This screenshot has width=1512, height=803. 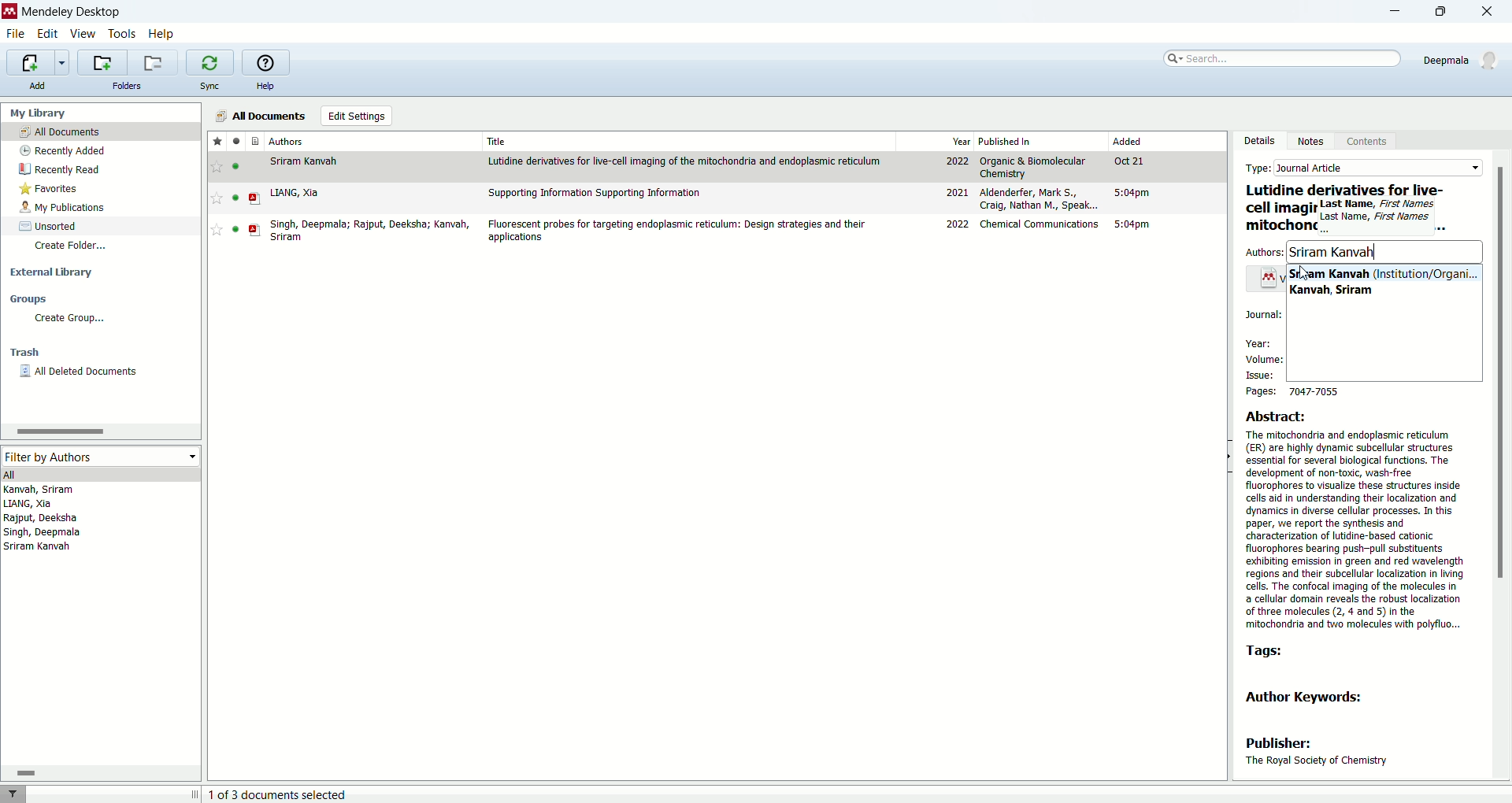 What do you see at coordinates (1502, 465) in the screenshot?
I see `scroll bar` at bounding box center [1502, 465].